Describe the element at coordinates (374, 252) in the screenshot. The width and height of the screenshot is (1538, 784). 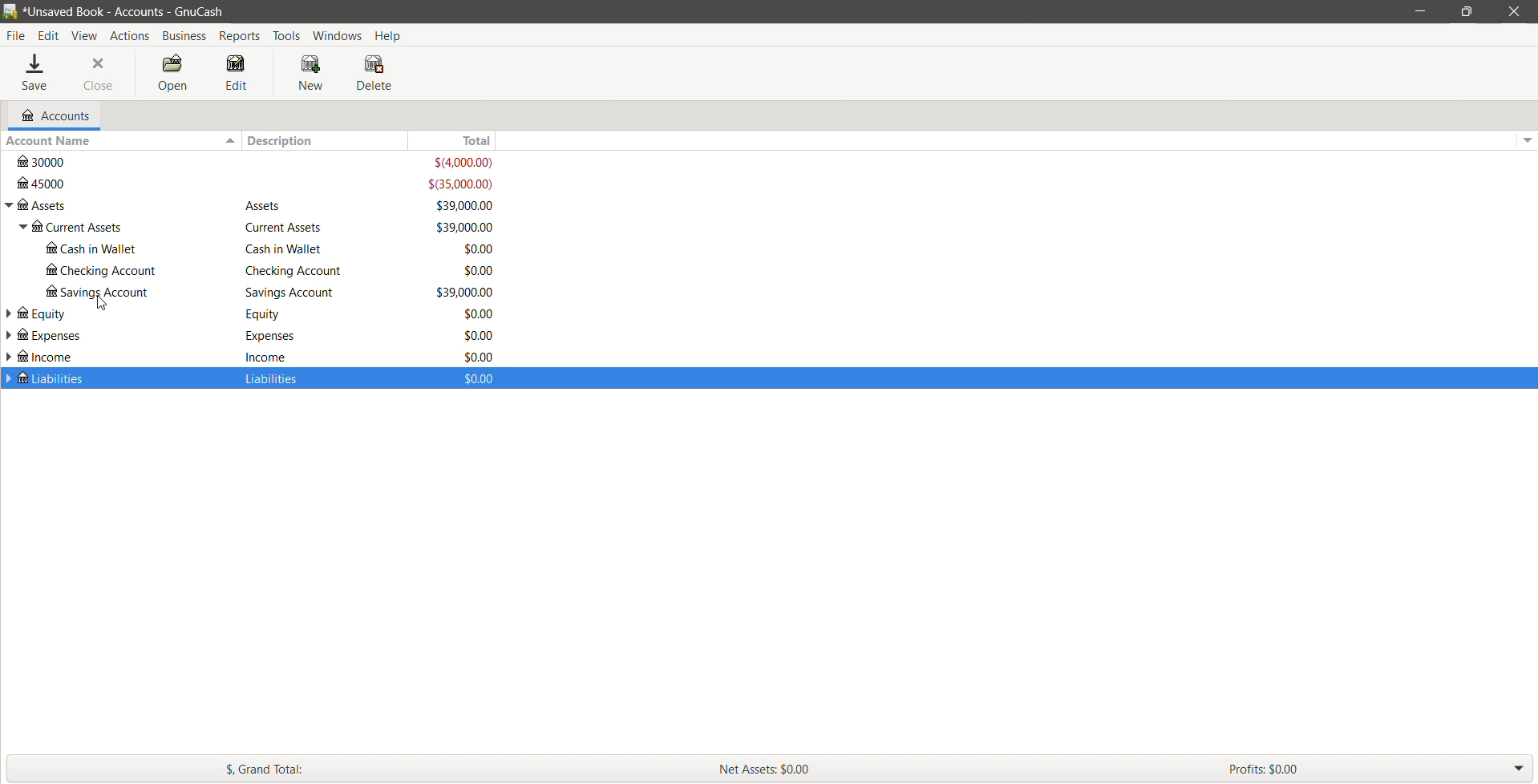
I see `Cash in wallet - Total amount available in the account` at that location.